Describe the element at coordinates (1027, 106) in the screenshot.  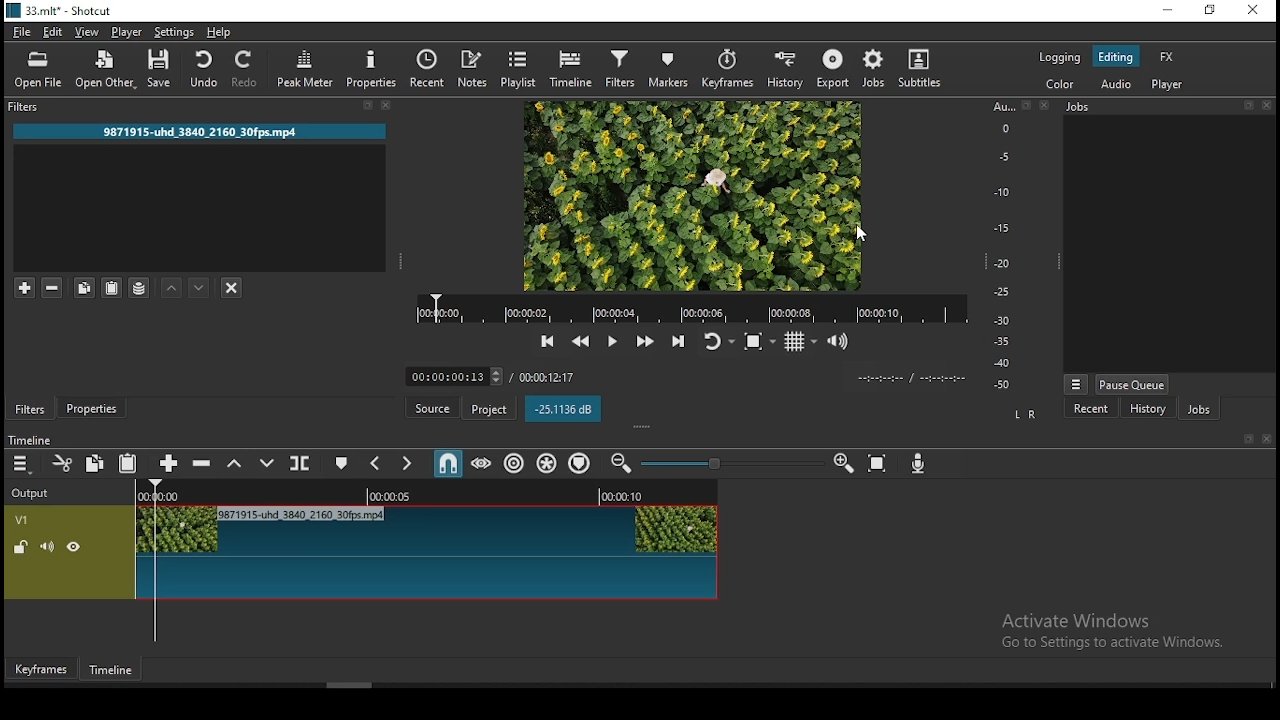
I see `bookmark` at that location.